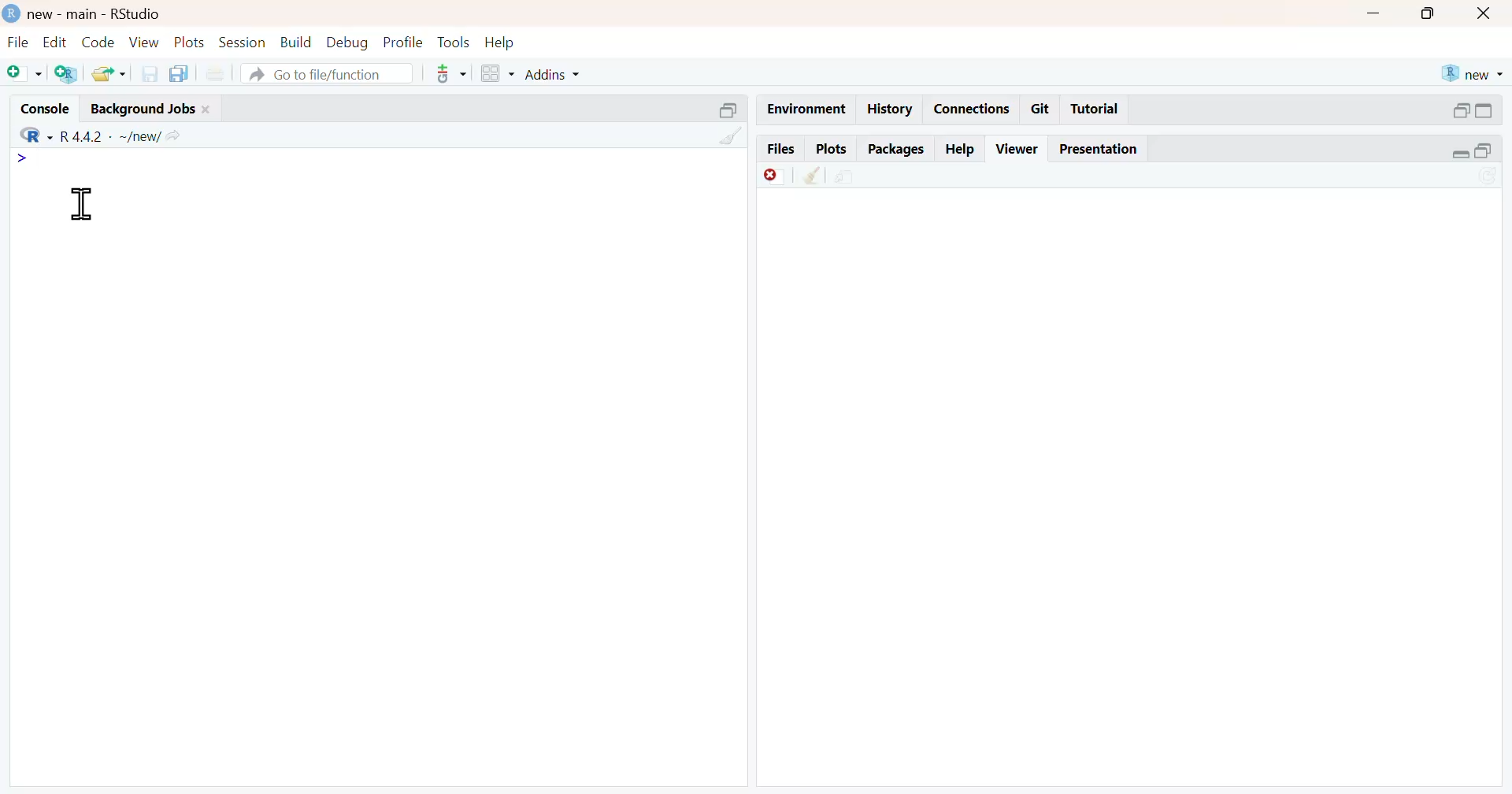  What do you see at coordinates (181, 74) in the screenshot?
I see `save all open documents` at bounding box center [181, 74].